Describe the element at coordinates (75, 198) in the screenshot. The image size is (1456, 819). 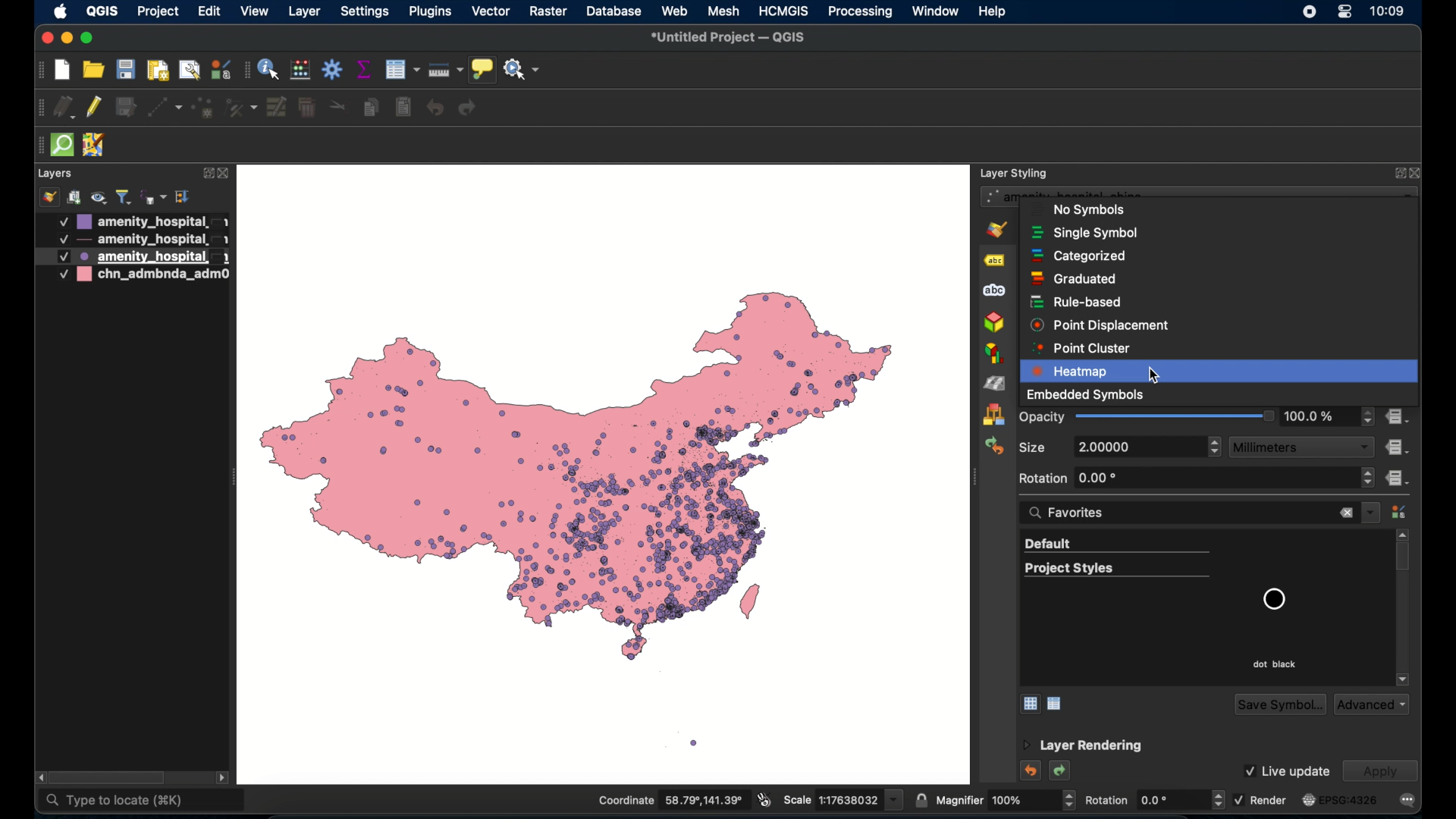
I see `add group` at that location.